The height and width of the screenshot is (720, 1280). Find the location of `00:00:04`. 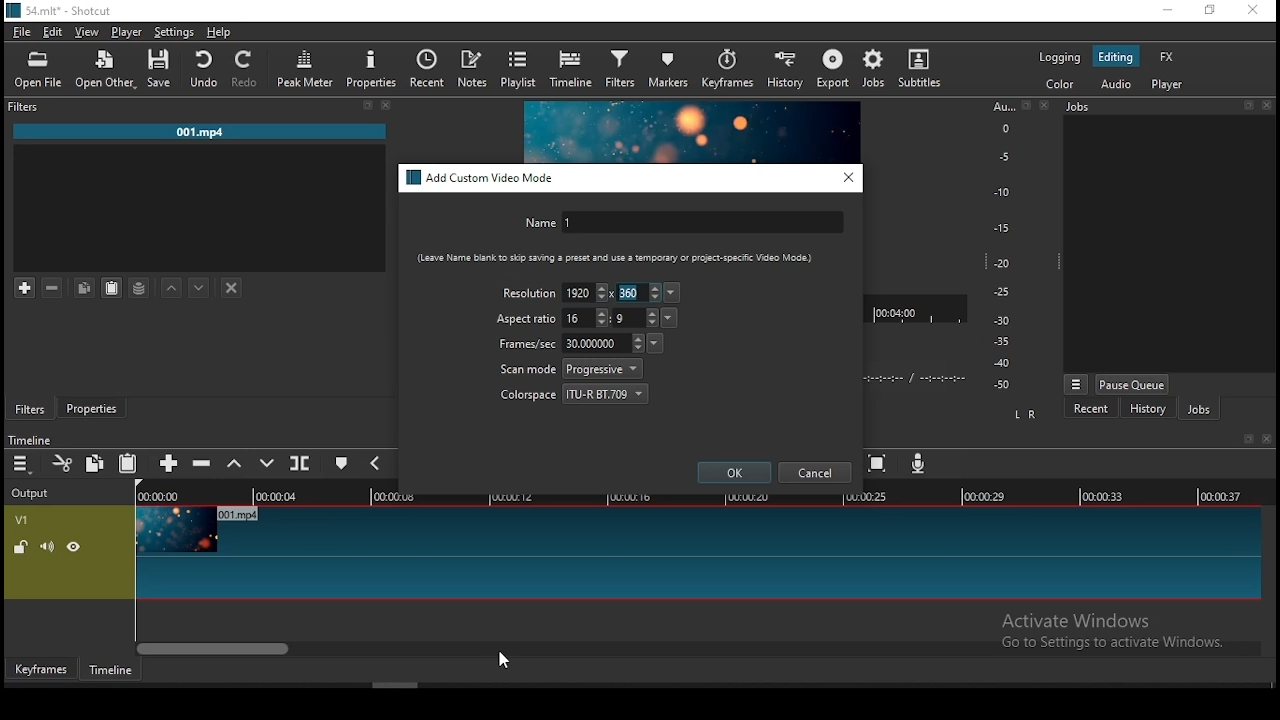

00:00:04 is located at coordinates (279, 496).